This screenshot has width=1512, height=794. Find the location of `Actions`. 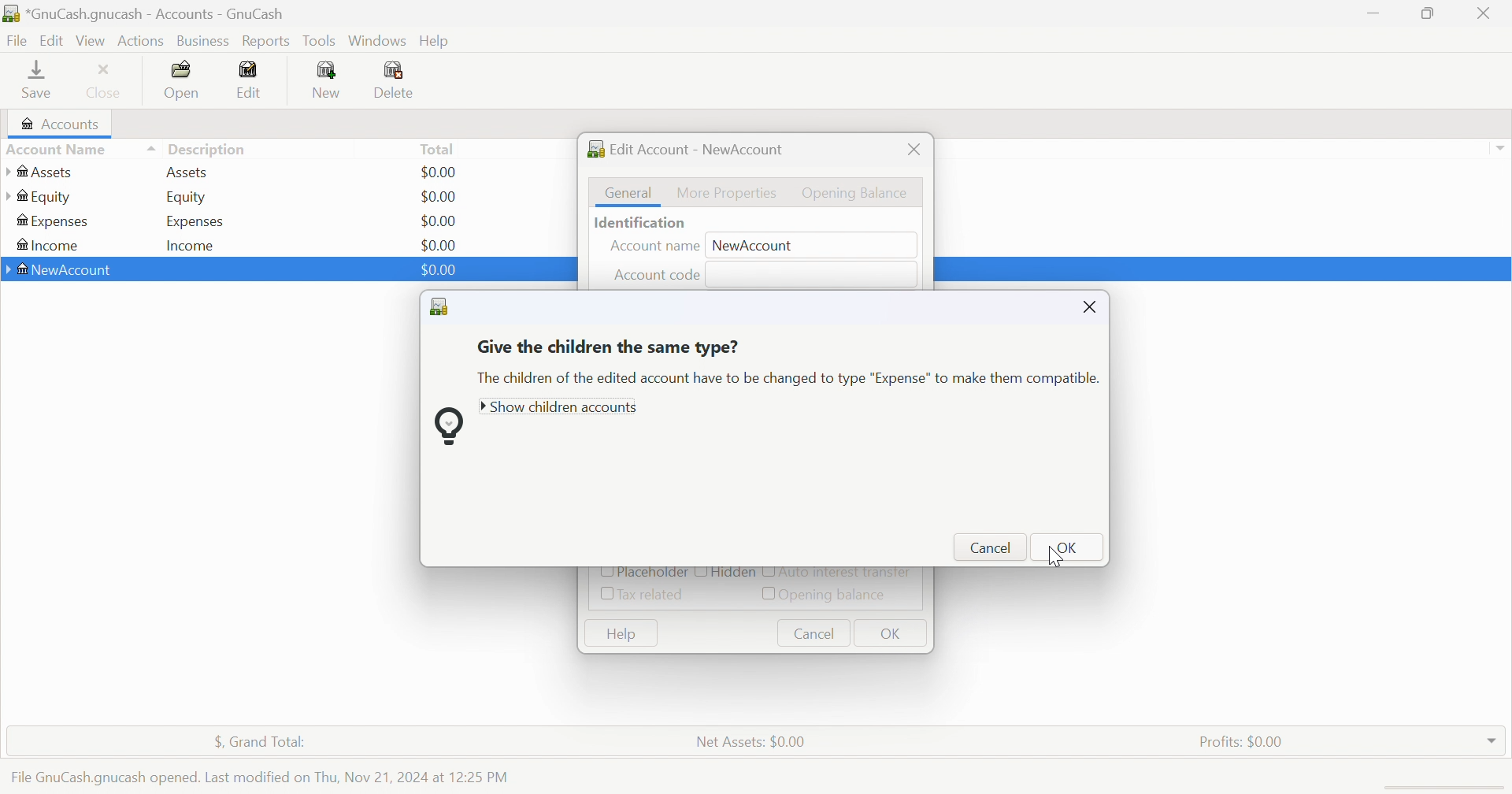

Actions is located at coordinates (141, 41).